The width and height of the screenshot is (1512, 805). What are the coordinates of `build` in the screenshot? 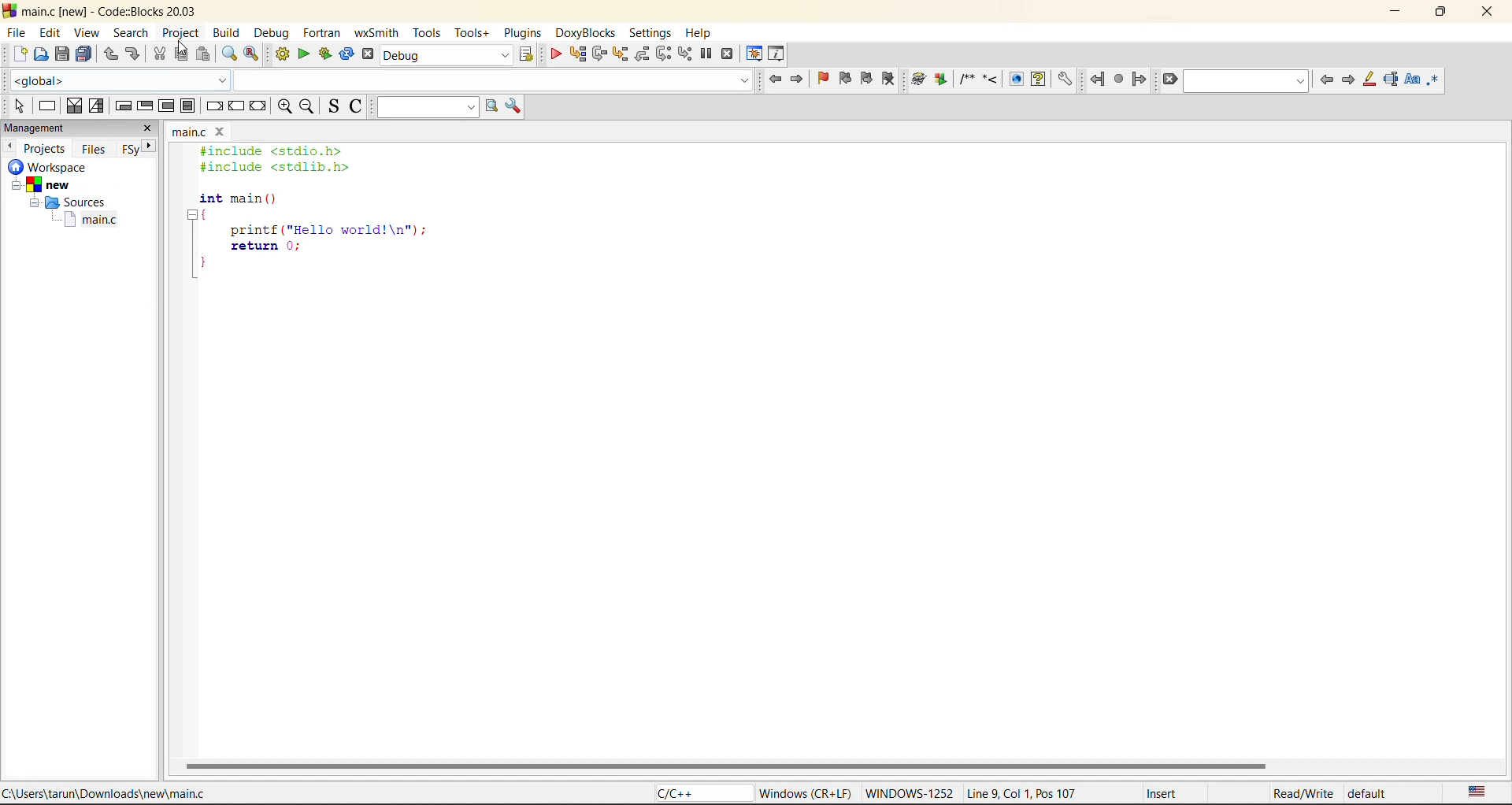 It's located at (226, 33).